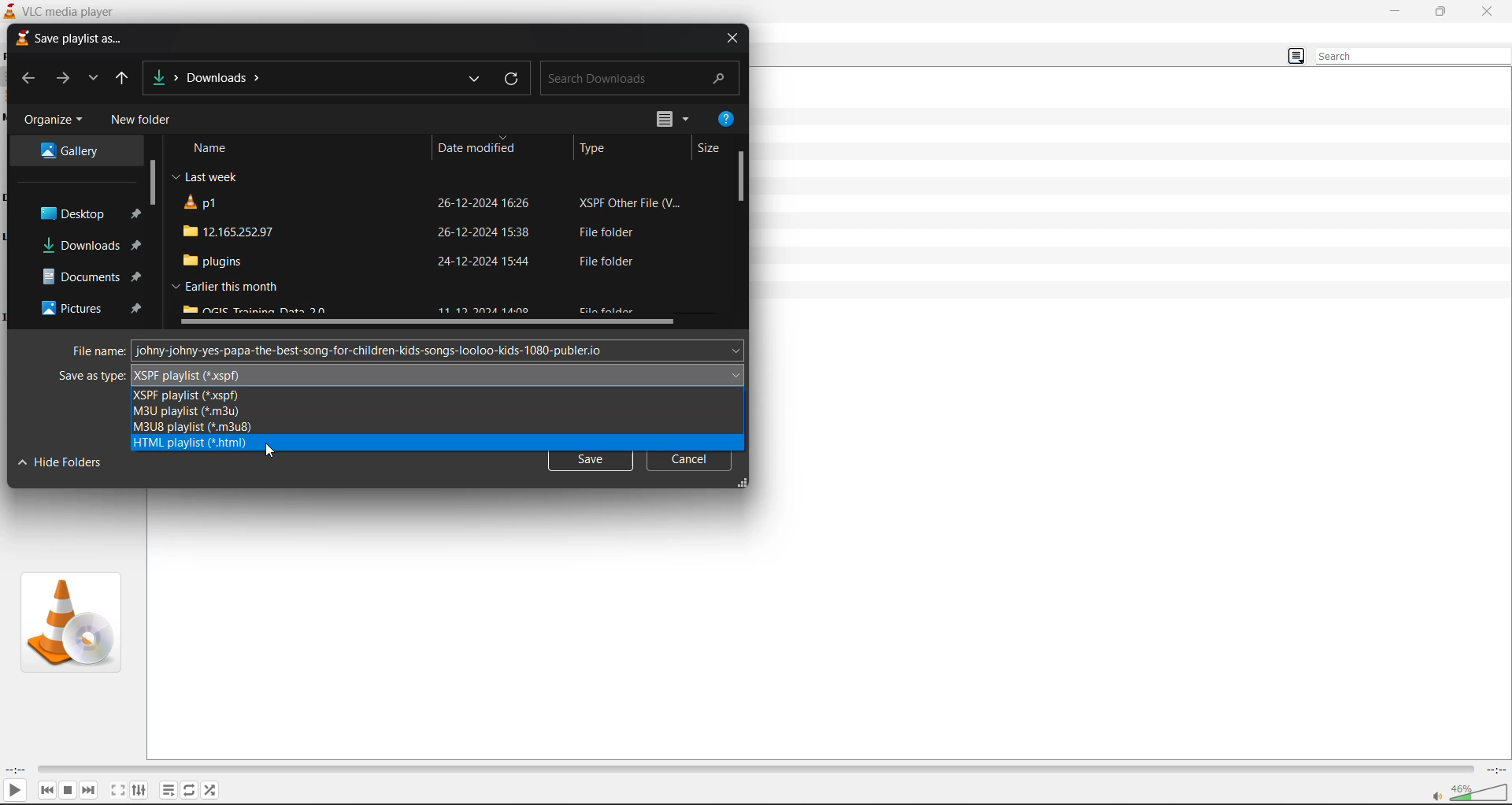  Describe the element at coordinates (752, 765) in the screenshot. I see `track slider` at that location.